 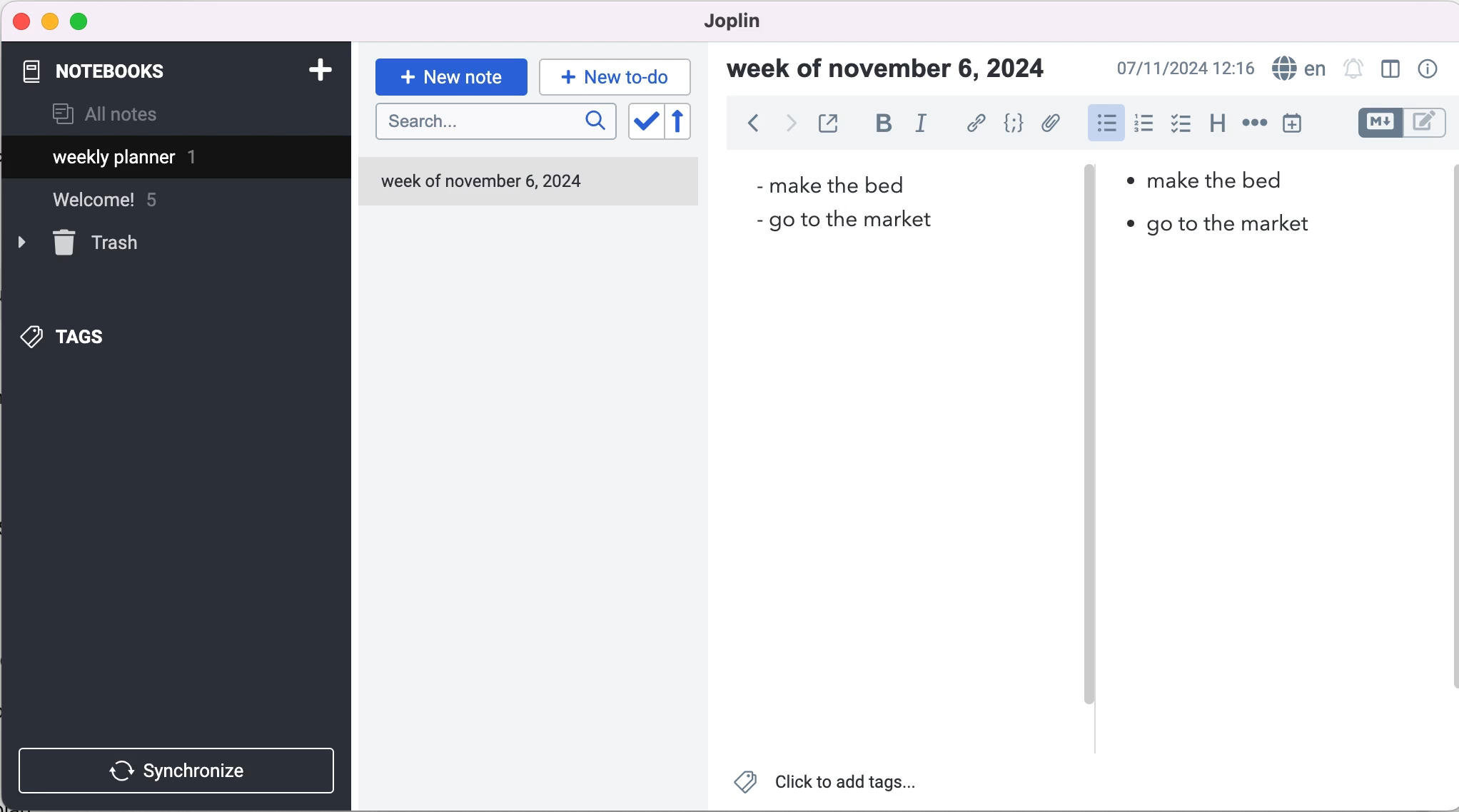 What do you see at coordinates (1091, 439) in the screenshot?
I see `vertical slider` at bounding box center [1091, 439].